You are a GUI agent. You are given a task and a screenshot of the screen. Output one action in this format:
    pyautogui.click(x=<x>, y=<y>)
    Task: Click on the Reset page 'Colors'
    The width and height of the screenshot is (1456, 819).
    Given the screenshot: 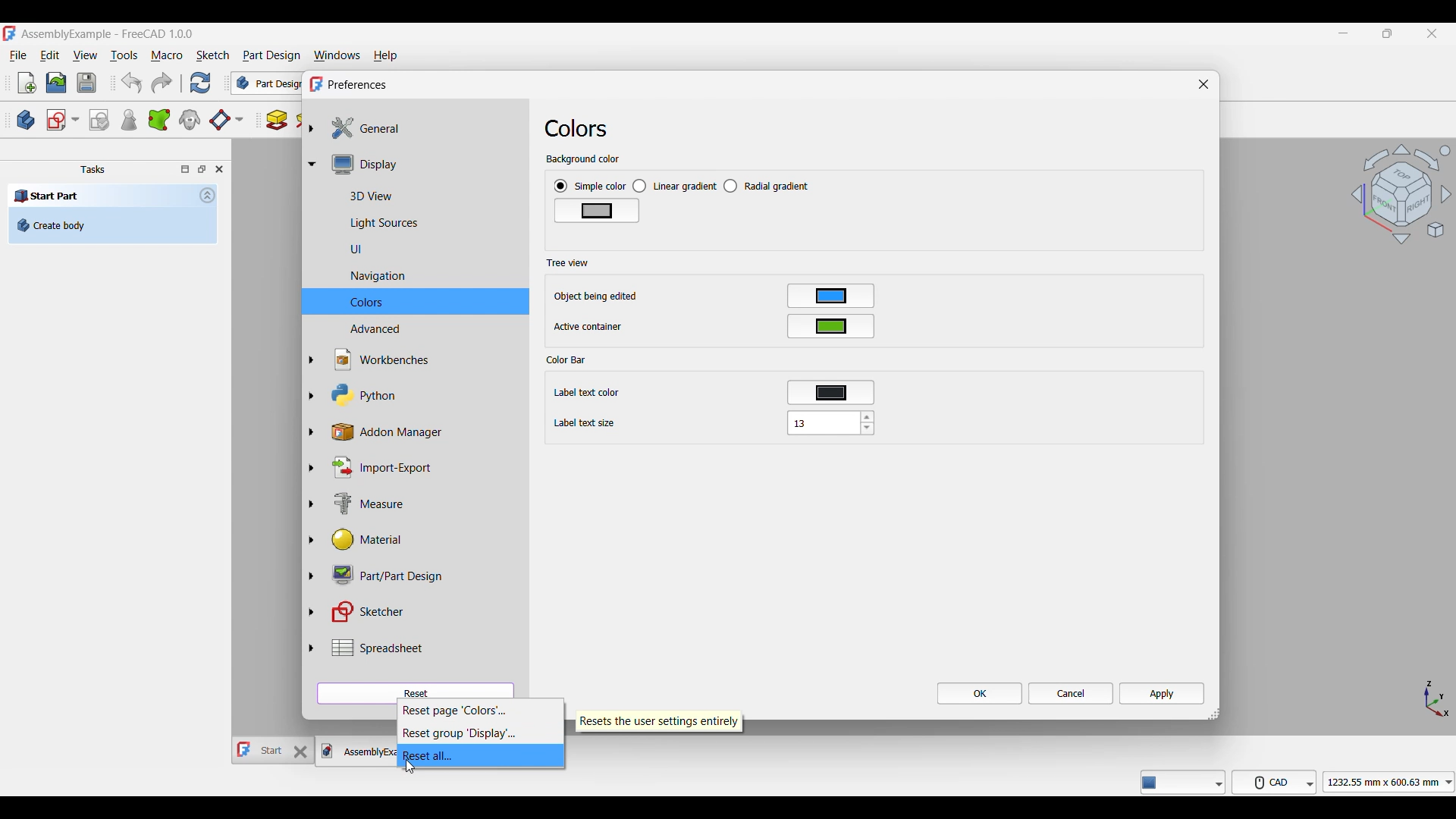 What is the action you would take?
    pyautogui.click(x=481, y=710)
    